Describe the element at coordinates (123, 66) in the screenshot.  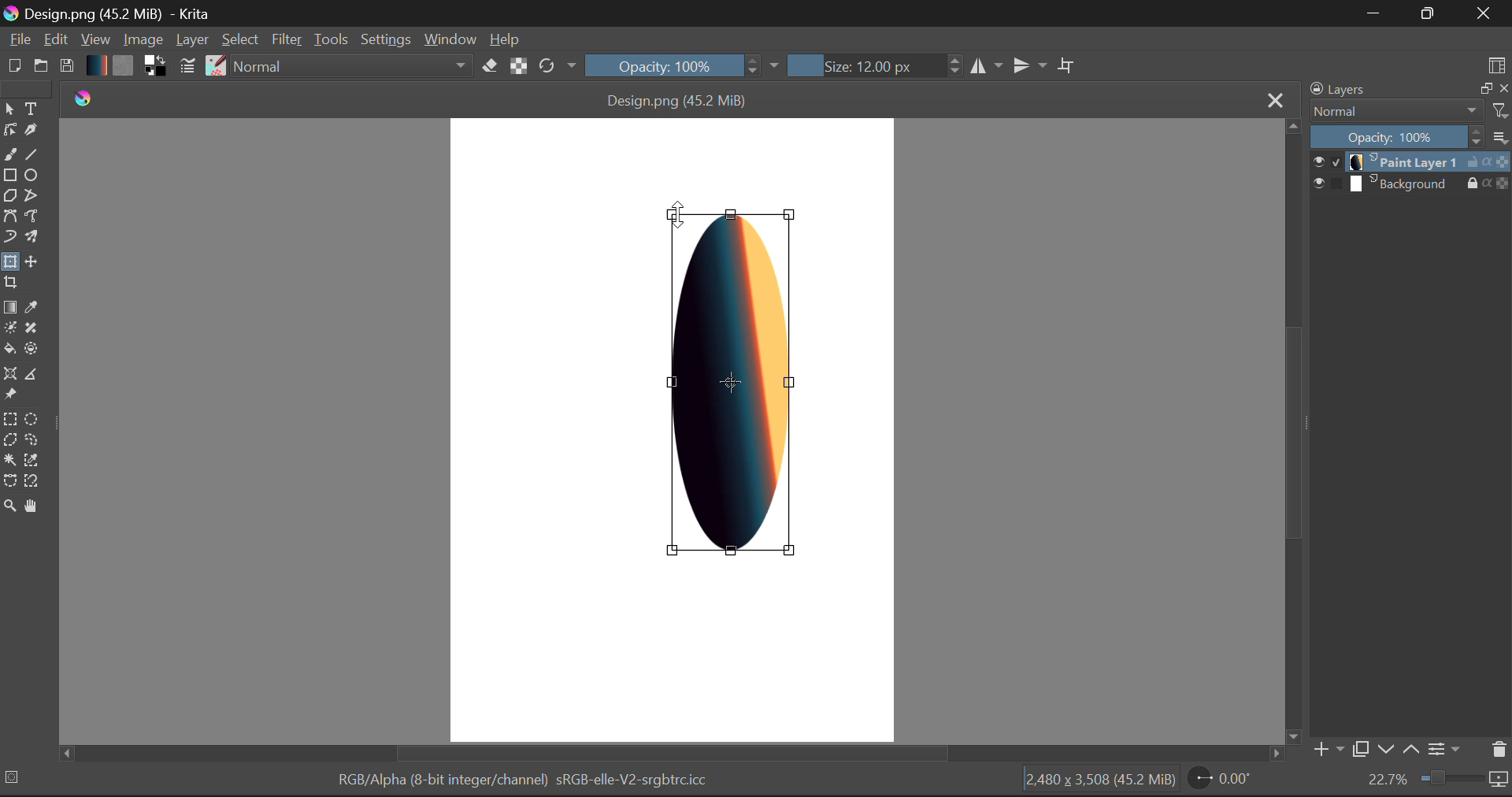
I see `Pattern` at that location.